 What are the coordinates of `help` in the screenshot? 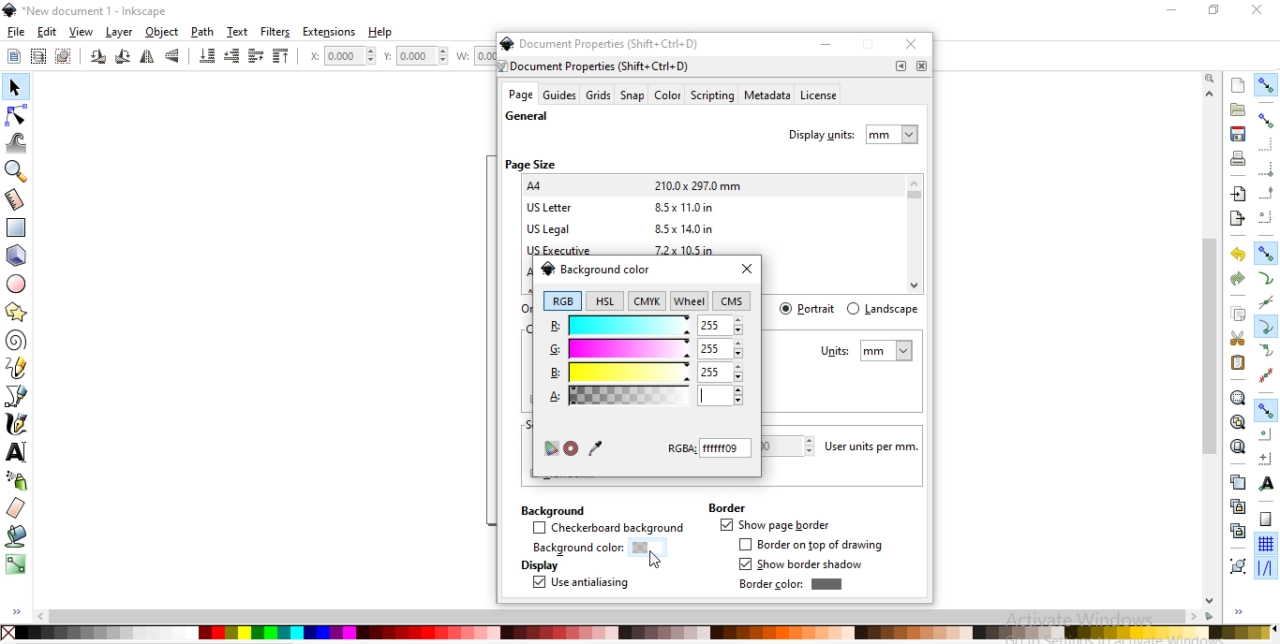 It's located at (382, 32).